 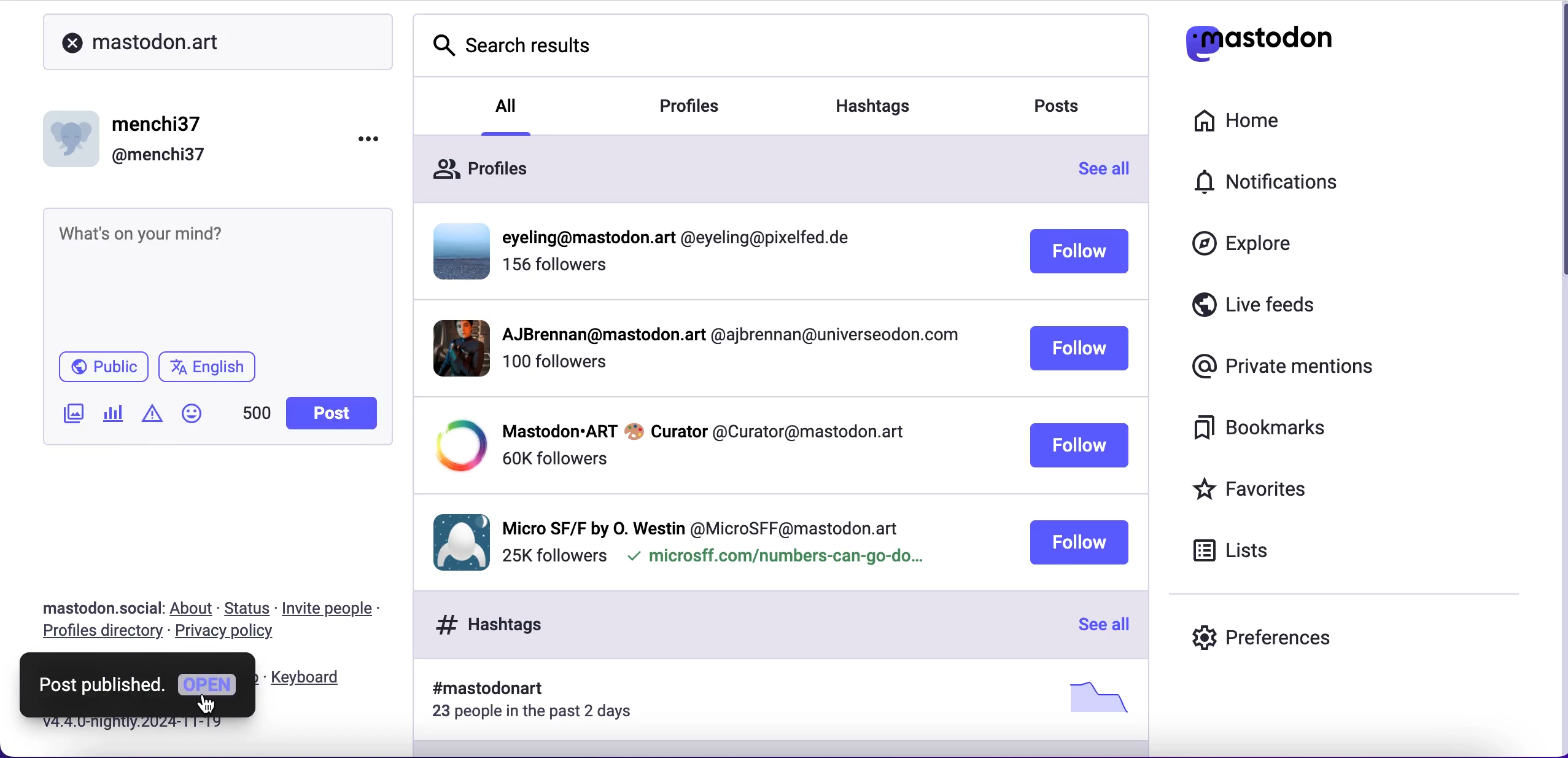 What do you see at coordinates (141, 40) in the screenshot?
I see `mastodon.art` at bounding box center [141, 40].